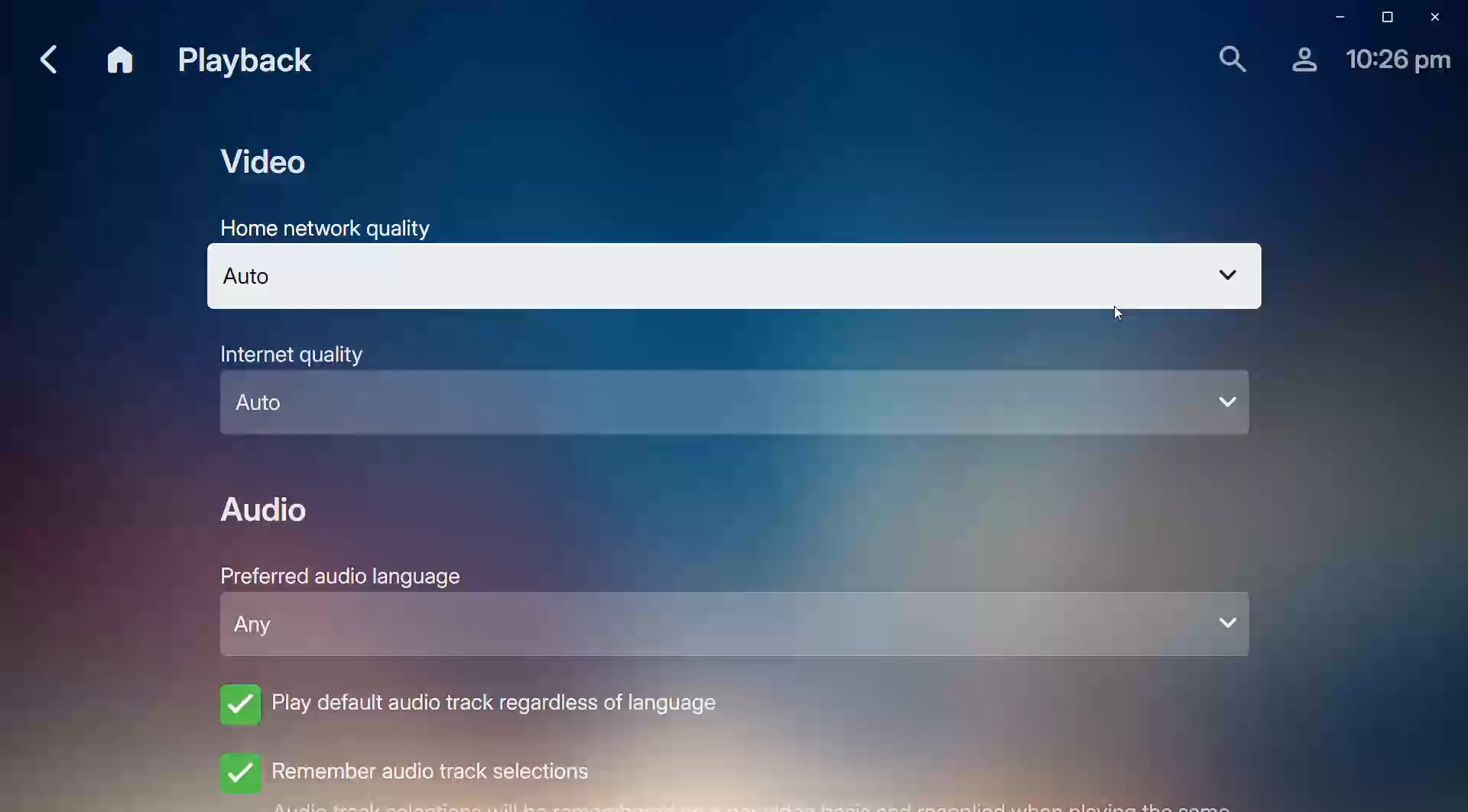  Describe the element at coordinates (1121, 313) in the screenshot. I see `cursor` at that location.